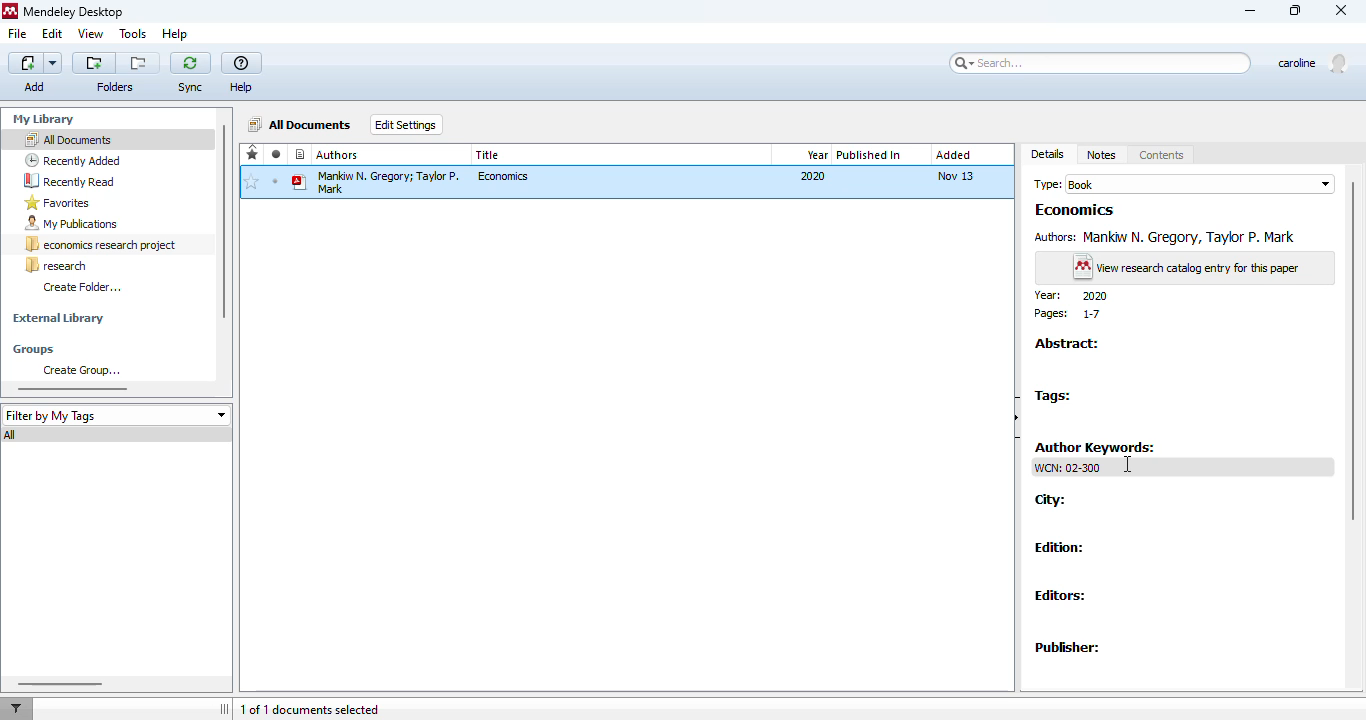 This screenshot has height=720, width=1366. What do you see at coordinates (406, 124) in the screenshot?
I see `edit settings` at bounding box center [406, 124].